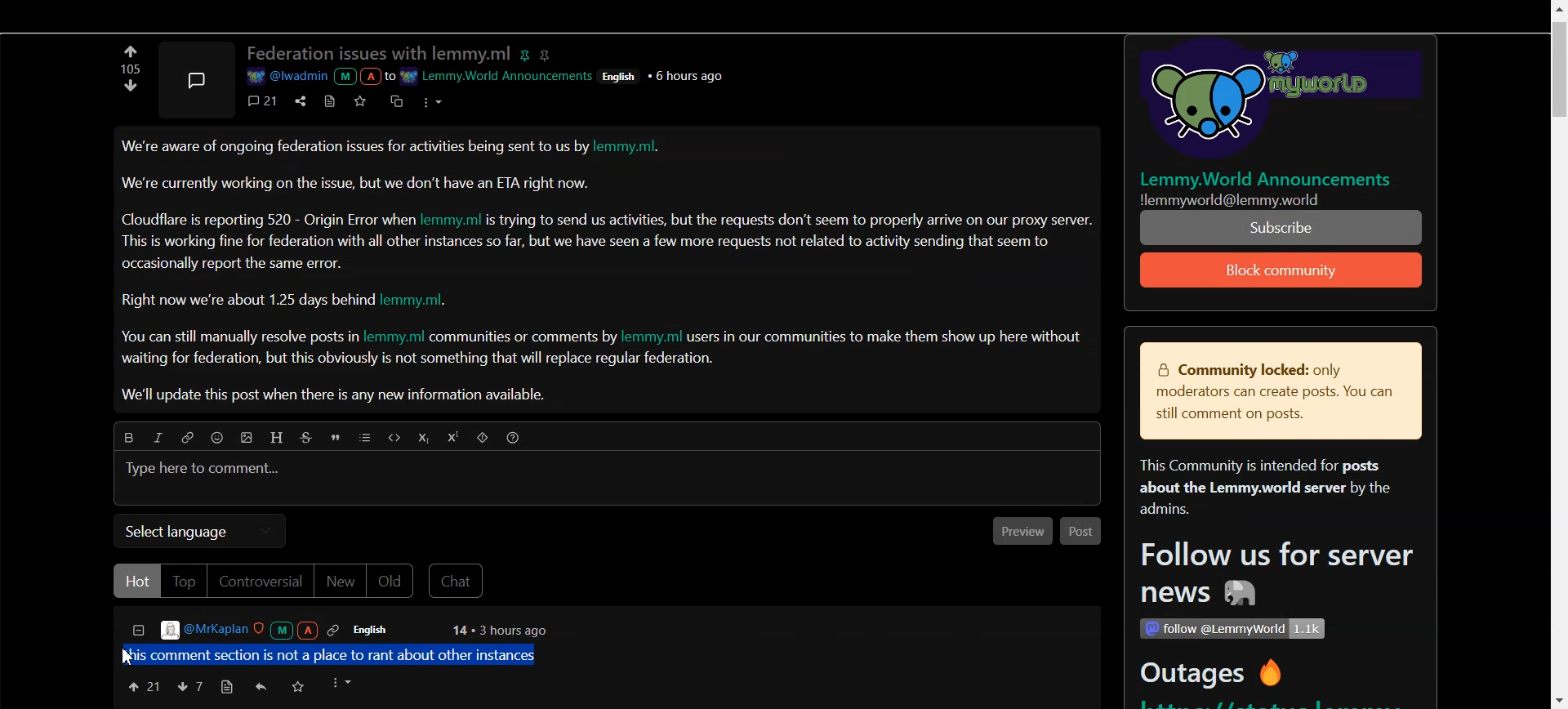  What do you see at coordinates (269, 219) in the screenshot?
I see `Cloudflare is reporting 520 - Origin Error wher` at bounding box center [269, 219].